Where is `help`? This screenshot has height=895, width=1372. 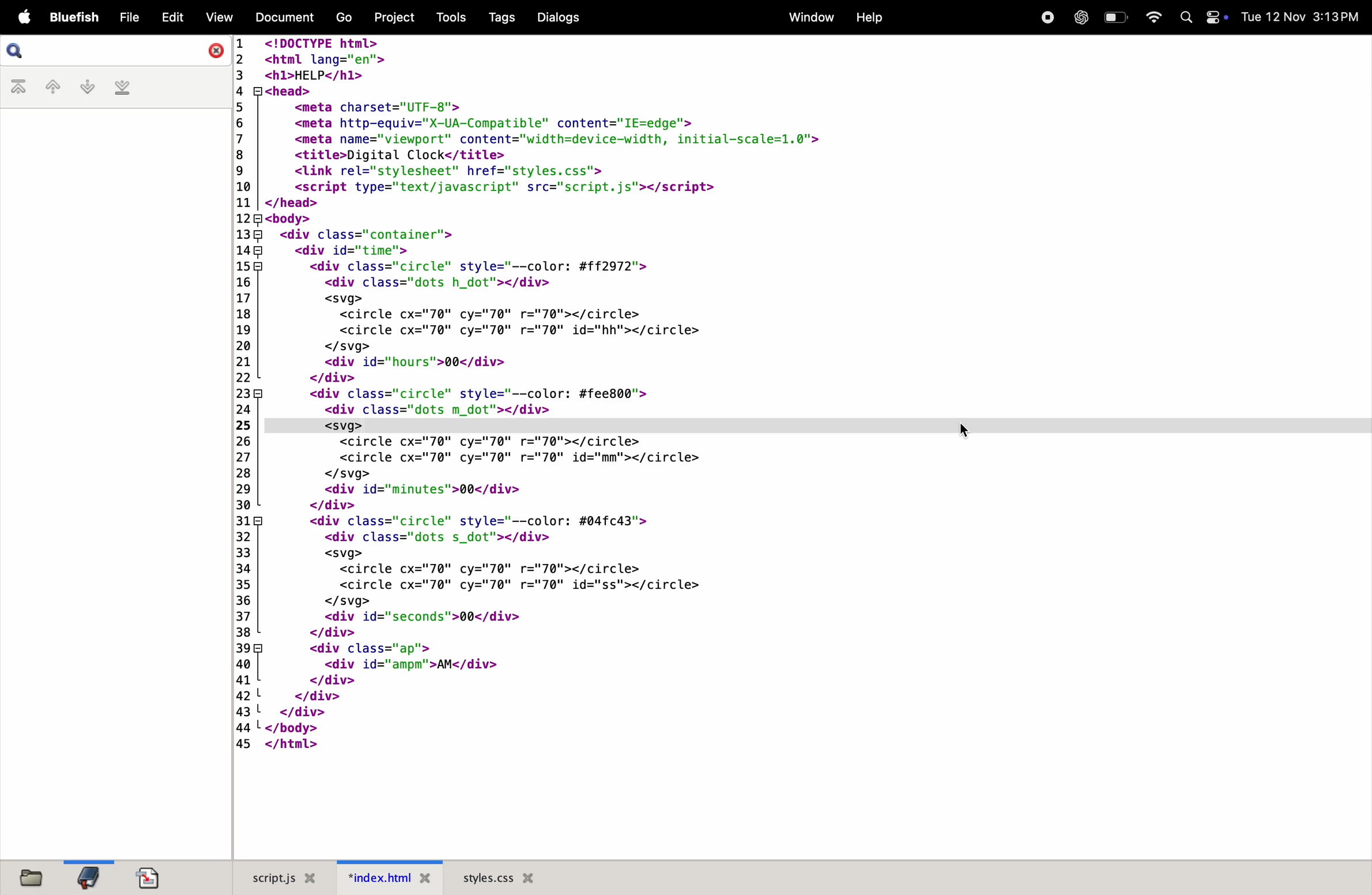 help is located at coordinates (868, 18).